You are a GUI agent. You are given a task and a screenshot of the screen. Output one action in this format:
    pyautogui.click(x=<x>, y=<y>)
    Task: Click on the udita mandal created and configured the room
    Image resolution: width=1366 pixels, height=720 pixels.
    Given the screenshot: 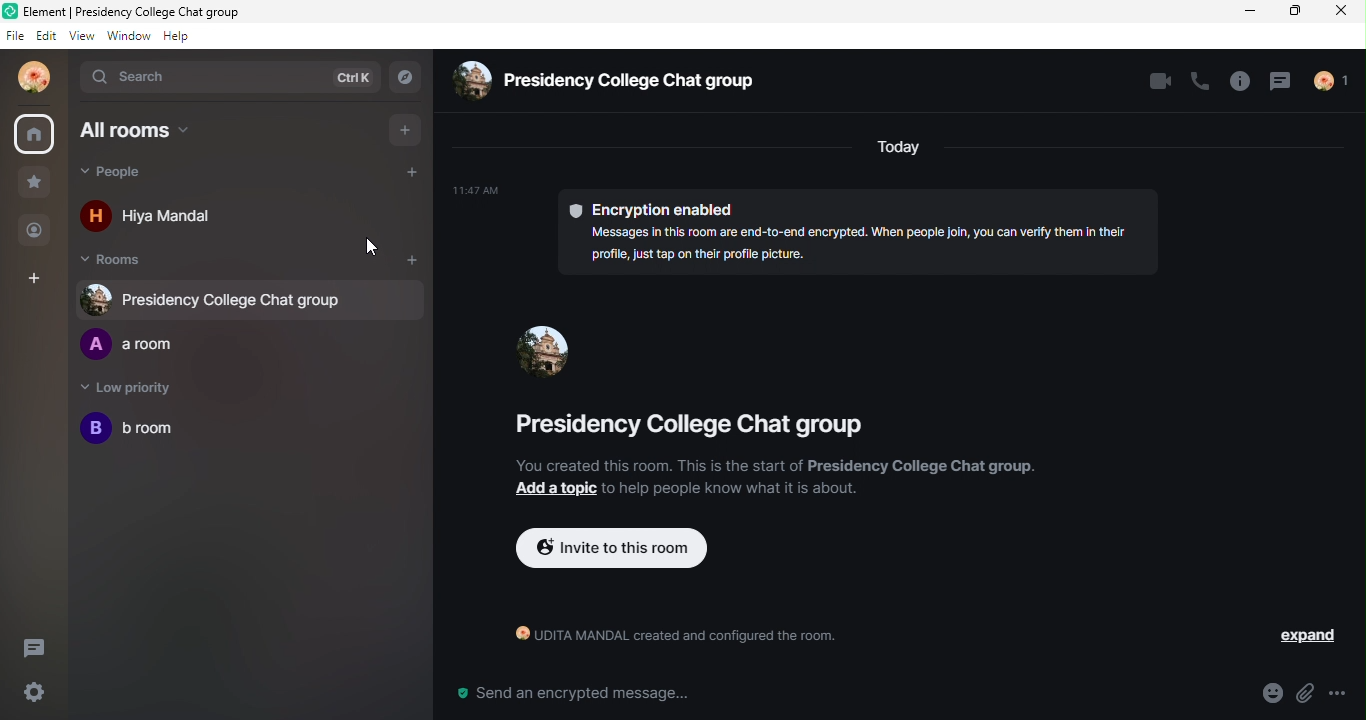 What is the action you would take?
    pyautogui.click(x=666, y=639)
    